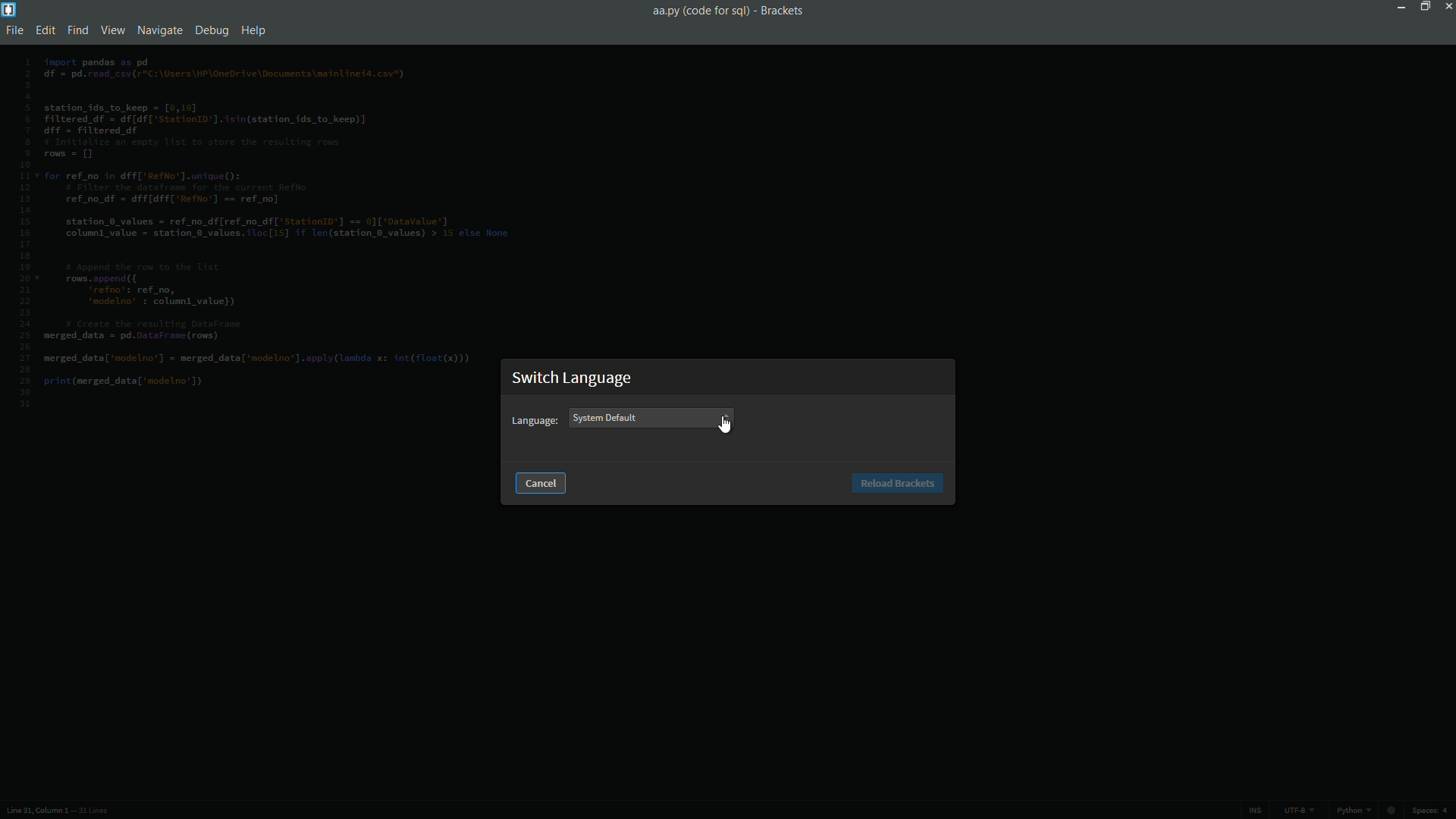  I want to click on space, so click(1434, 811).